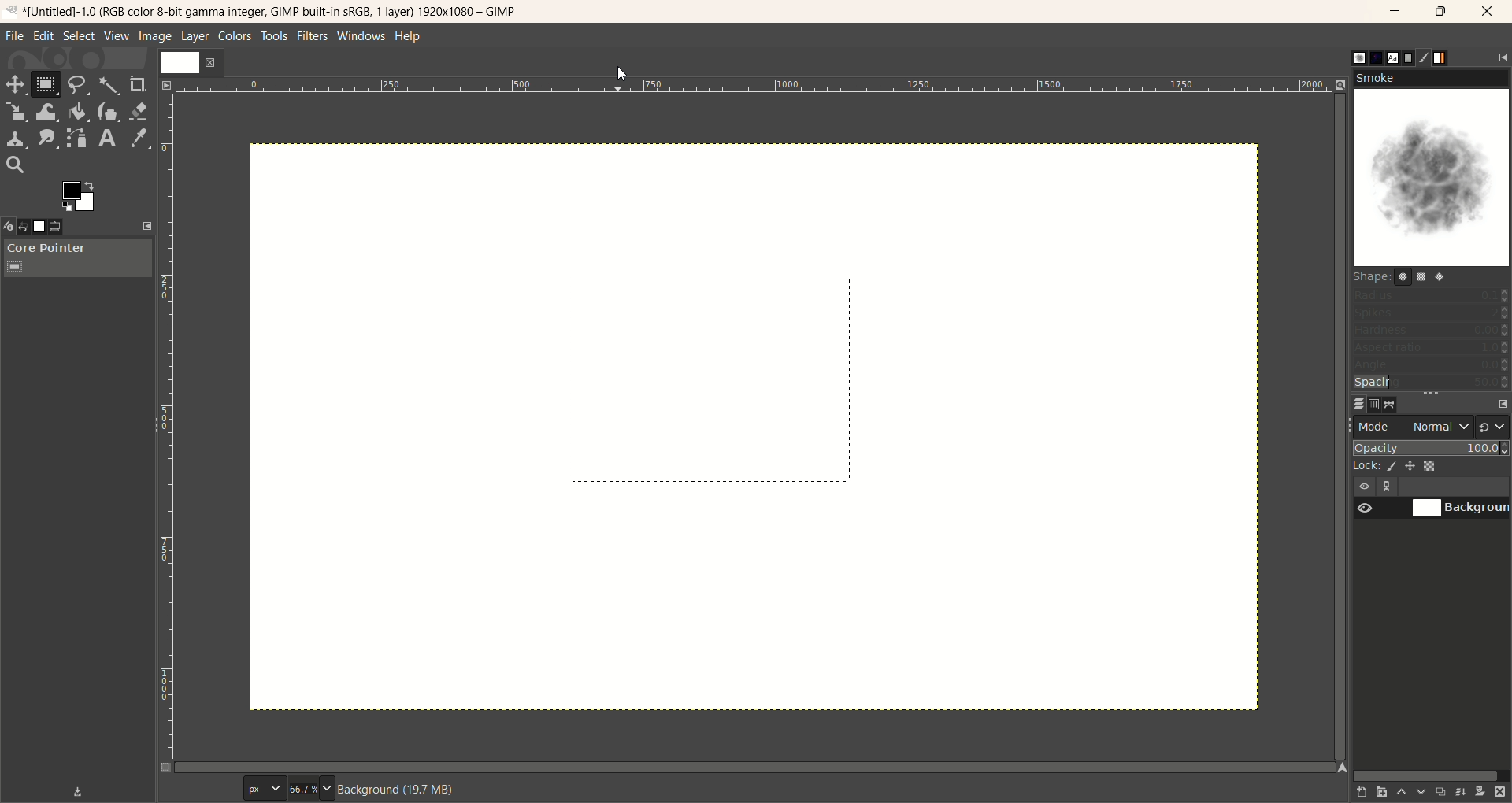  Describe the element at coordinates (1441, 58) in the screenshot. I see `gradient` at that location.